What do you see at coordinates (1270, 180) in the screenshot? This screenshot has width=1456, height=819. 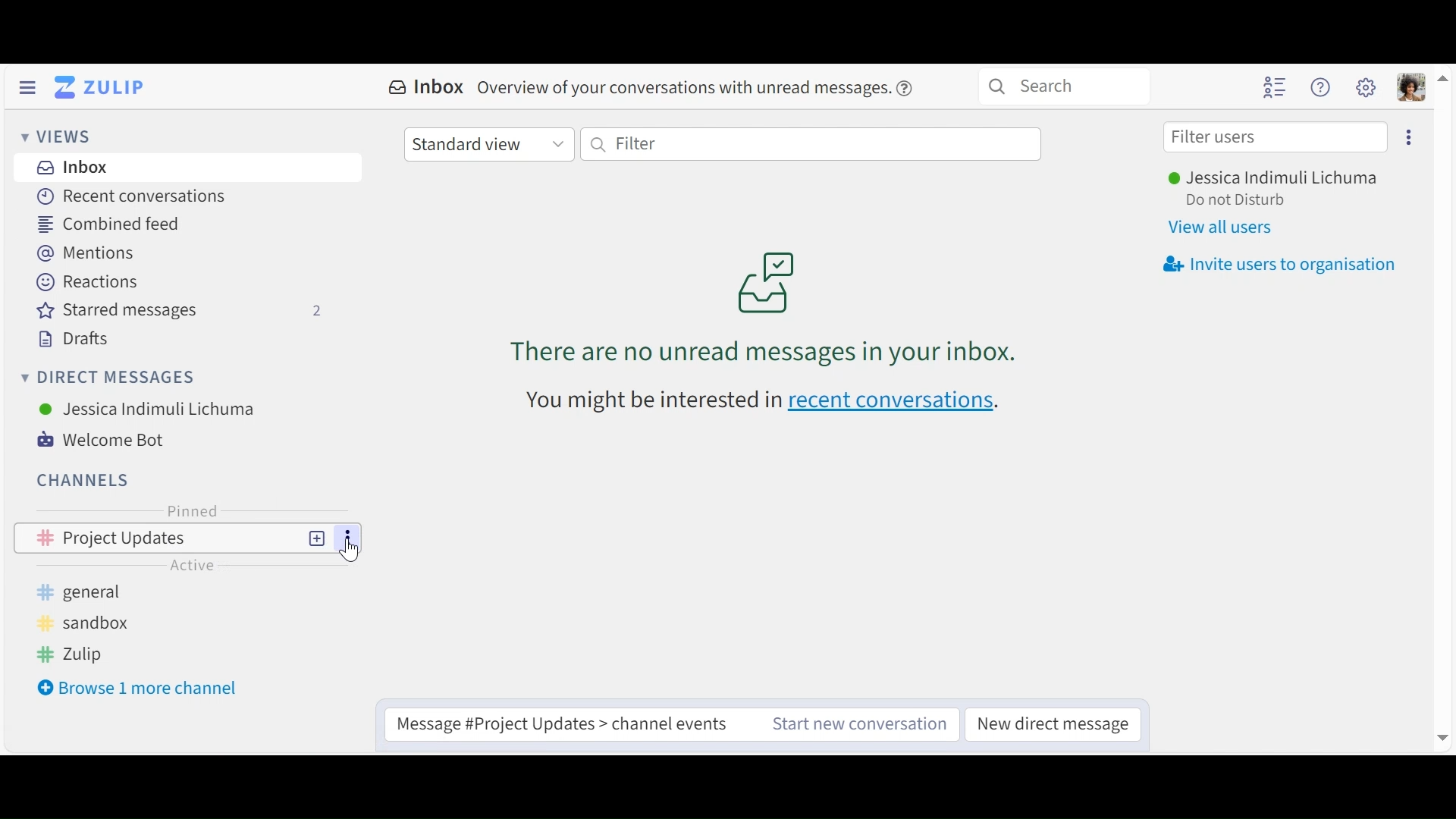 I see `Username` at bounding box center [1270, 180].